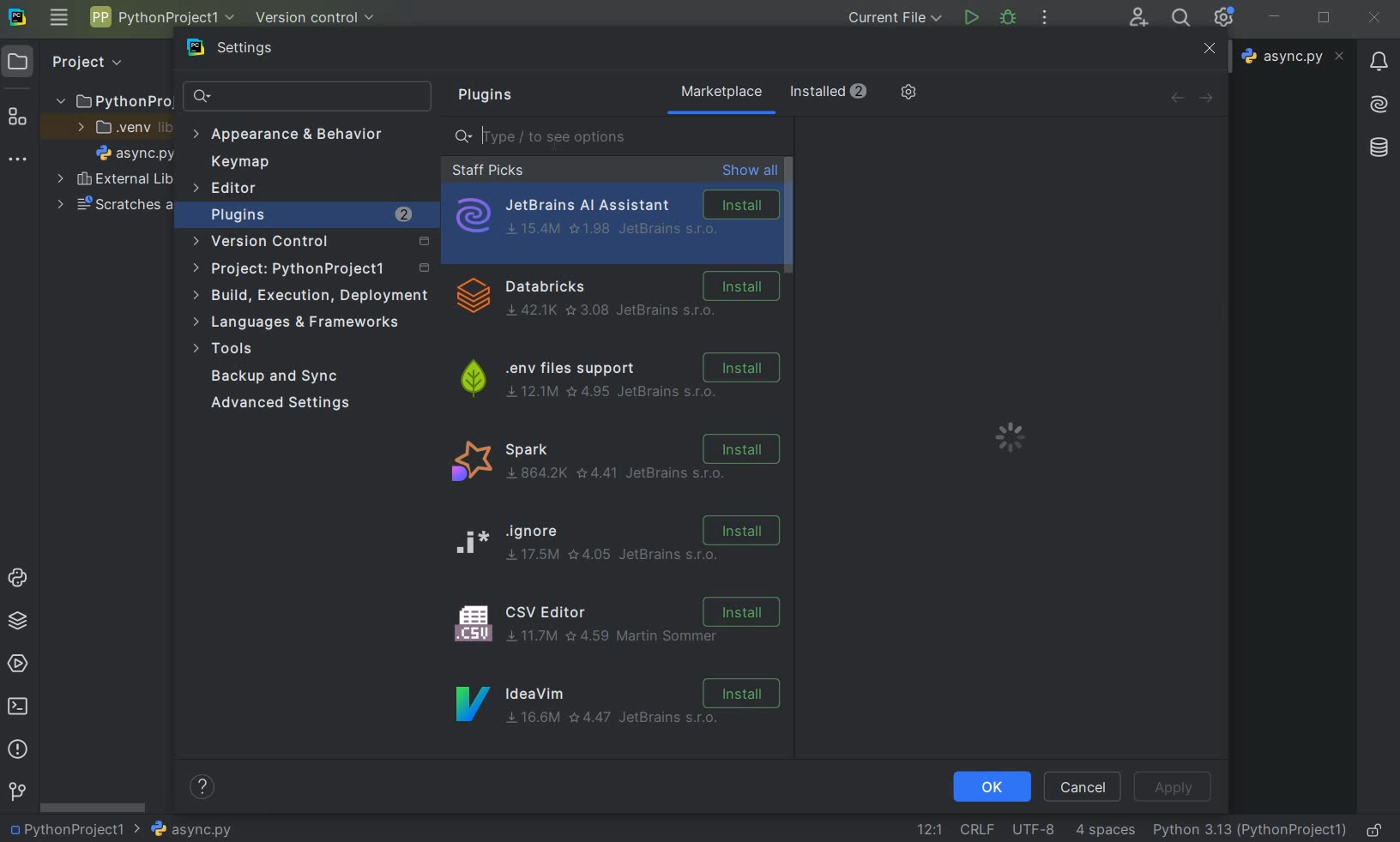 This screenshot has width=1400, height=842. What do you see at coordinates (1224, 18) in the screenshot?
I see `ide and project settings` at bounding box center [1224, 18].